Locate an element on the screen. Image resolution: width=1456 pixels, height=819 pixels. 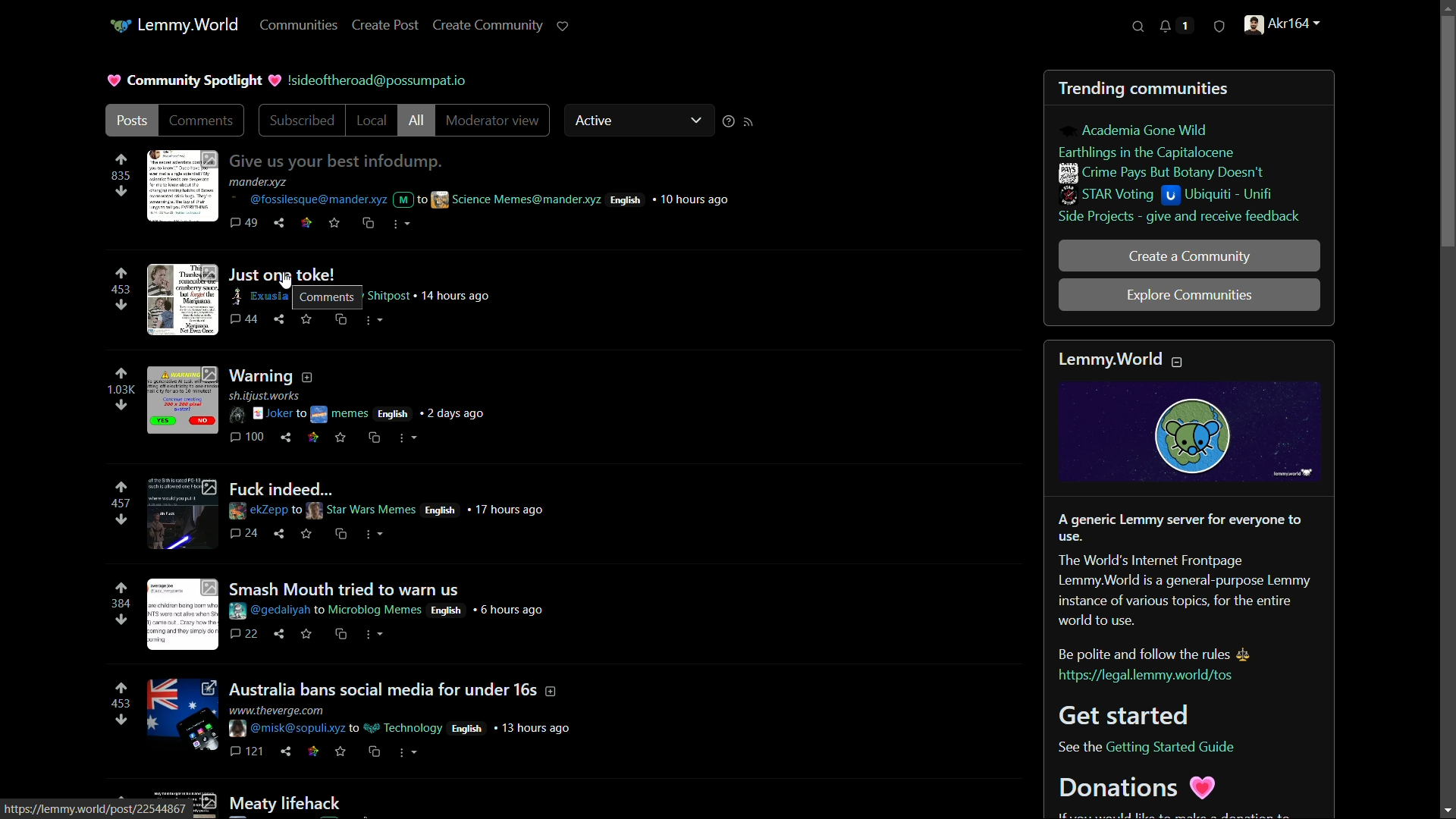
English 13 hours ago is located at coordinates (518, 727).